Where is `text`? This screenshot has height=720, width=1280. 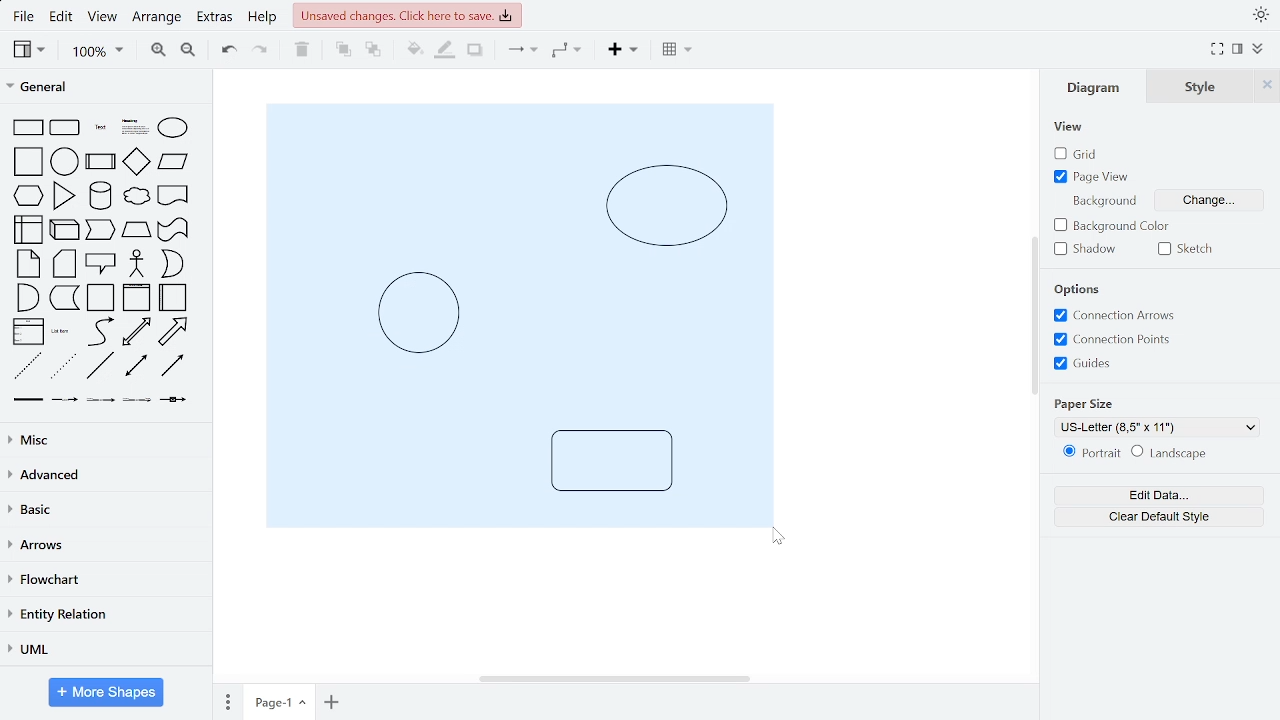
text is located at coordinates (101, 127).